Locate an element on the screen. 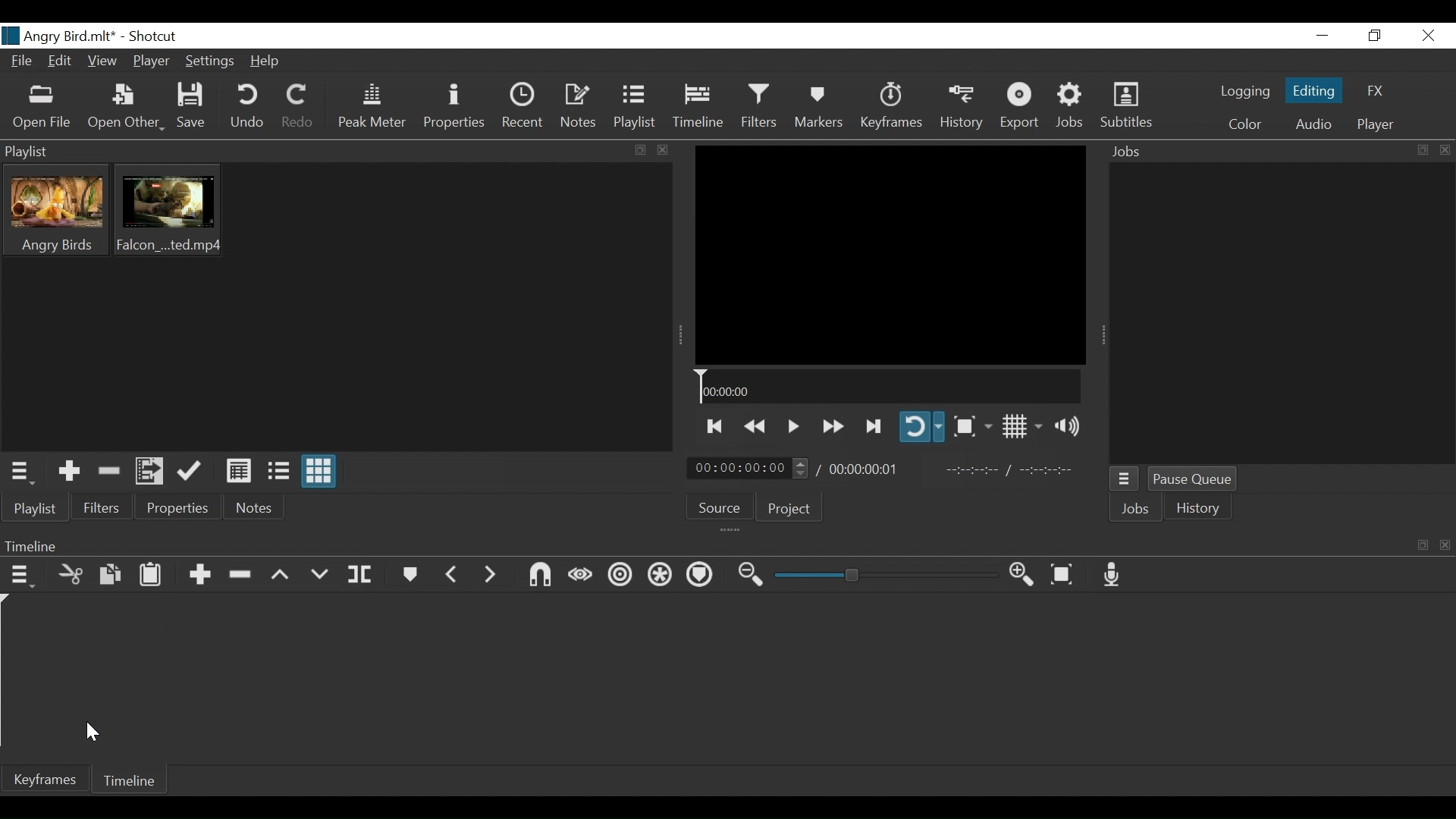 This screenshot has width=1456, height=819. Copy is located at coordinates (111, 576).